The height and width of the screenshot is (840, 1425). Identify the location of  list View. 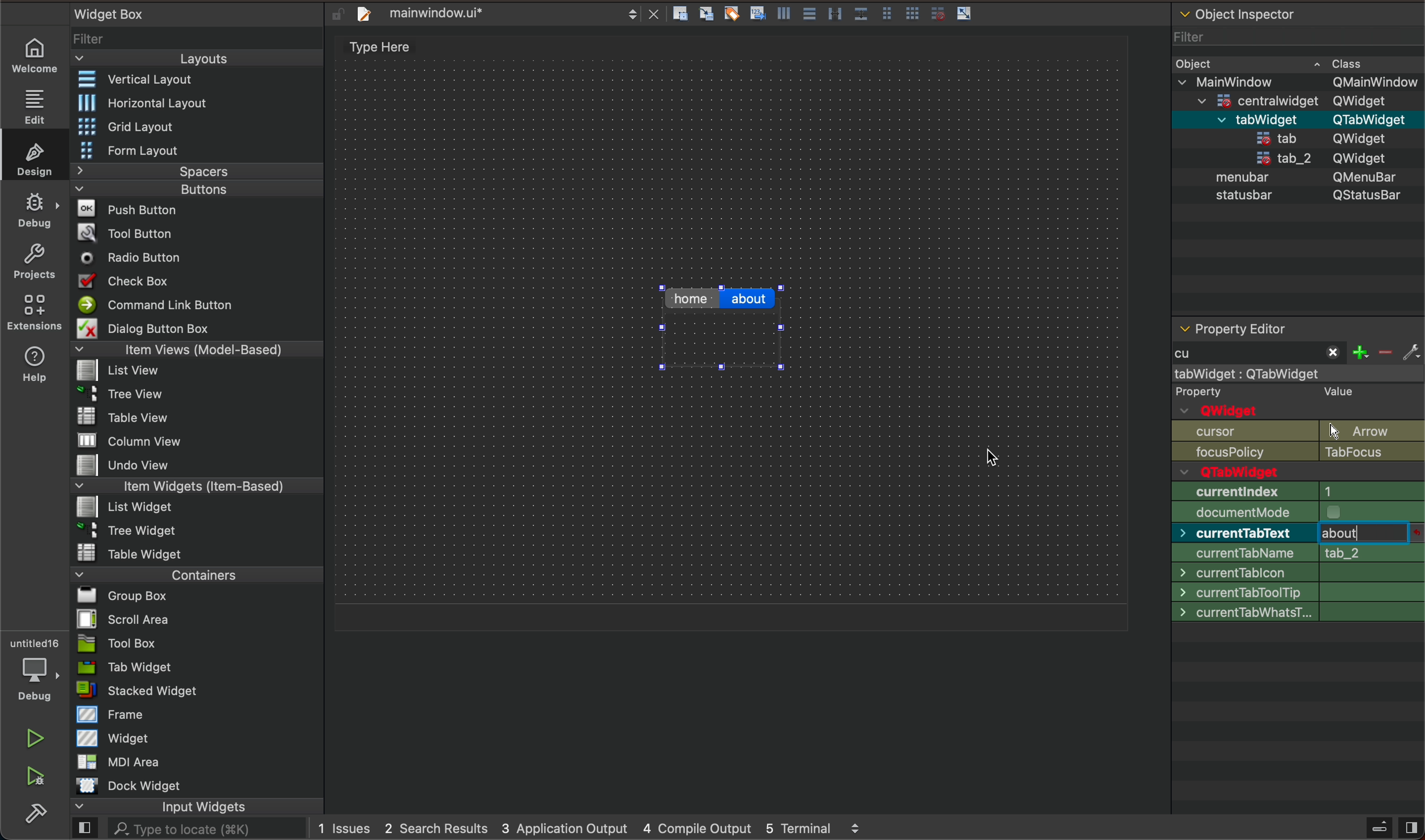
(119, 371).